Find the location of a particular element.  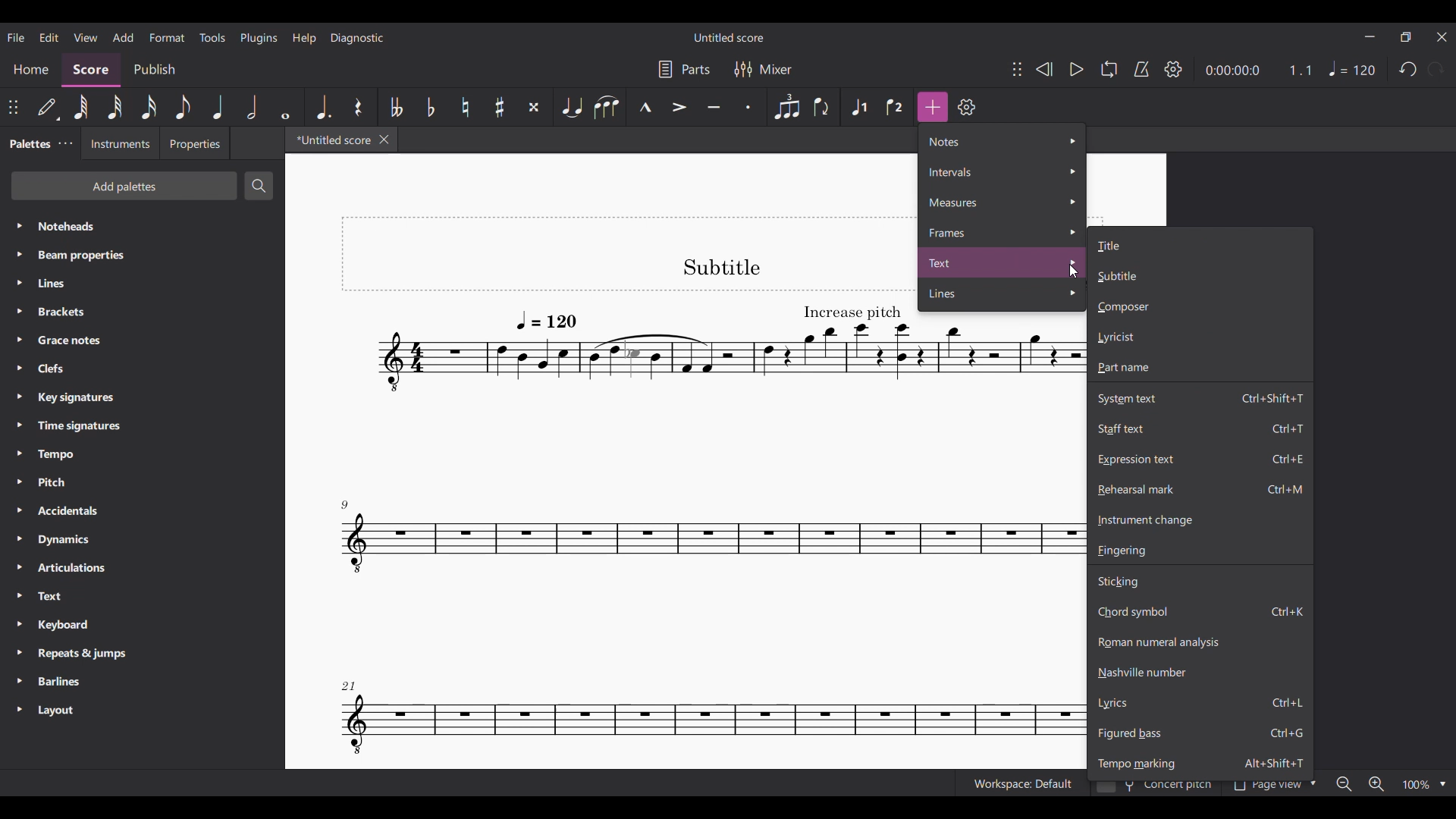

Tempo marking is located at coordinates (1200, 762).